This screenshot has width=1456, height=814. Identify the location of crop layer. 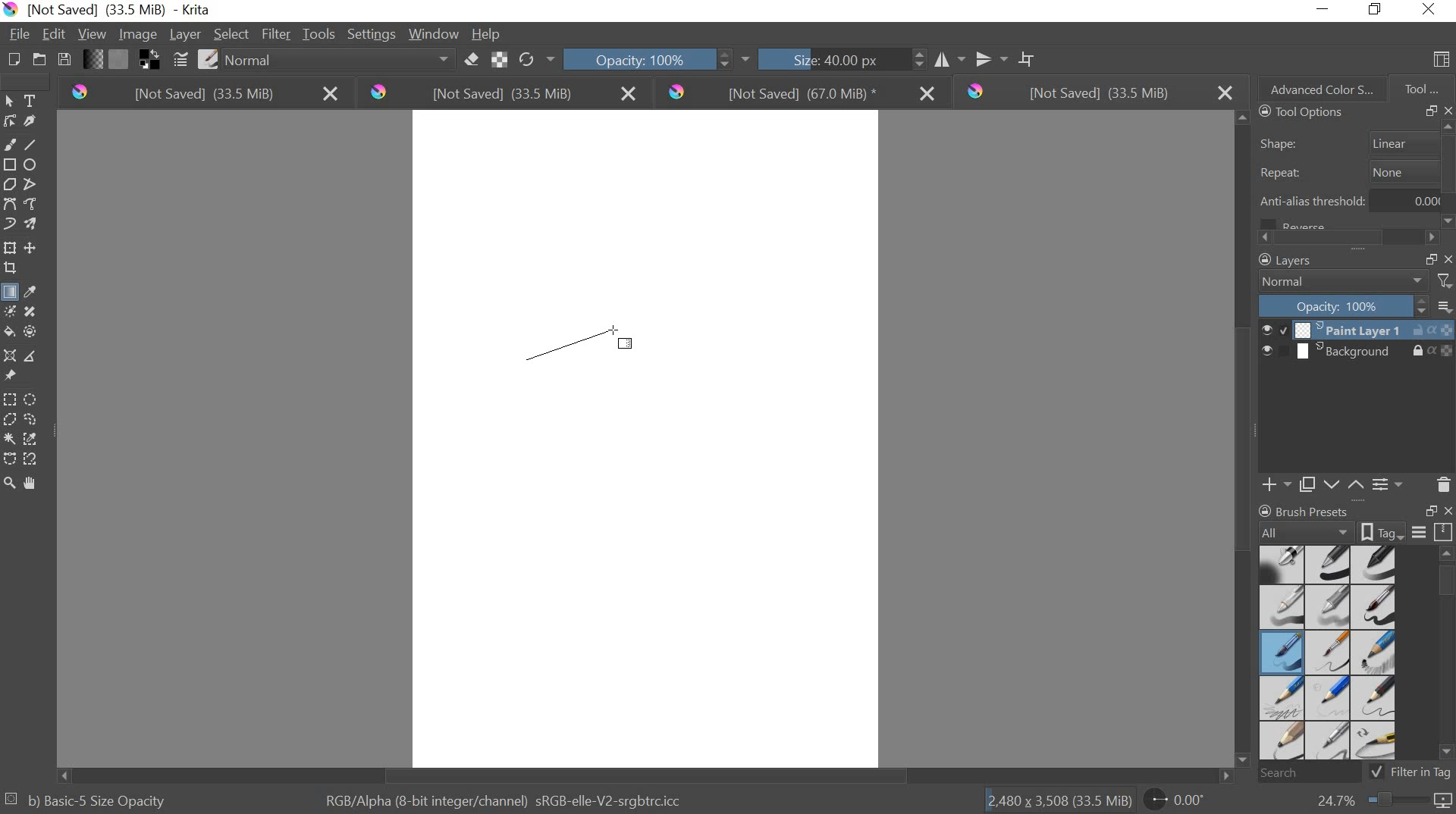
(12, 270).